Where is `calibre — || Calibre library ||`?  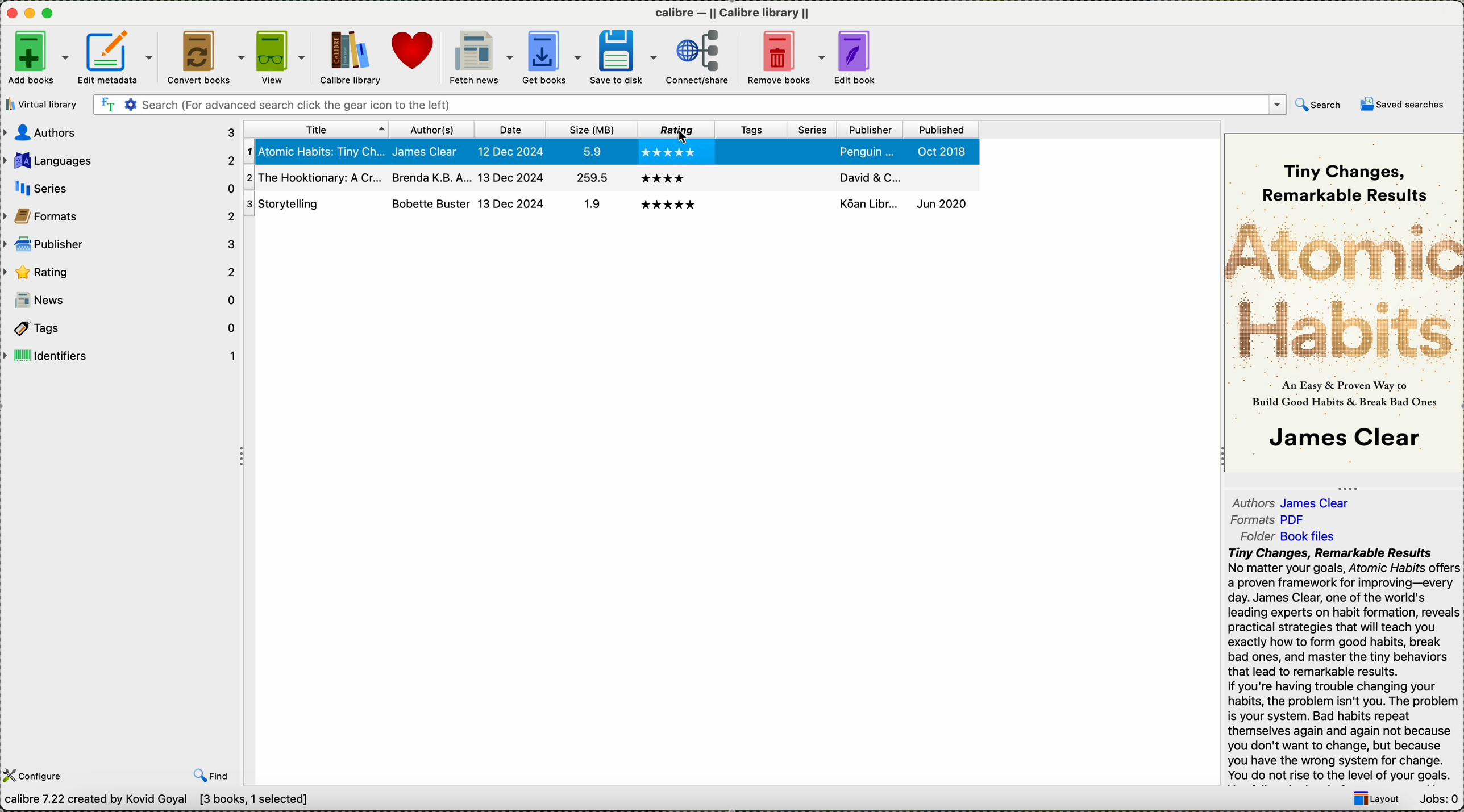
calibre — || Calibre library || is located at coordinates (740, 13).